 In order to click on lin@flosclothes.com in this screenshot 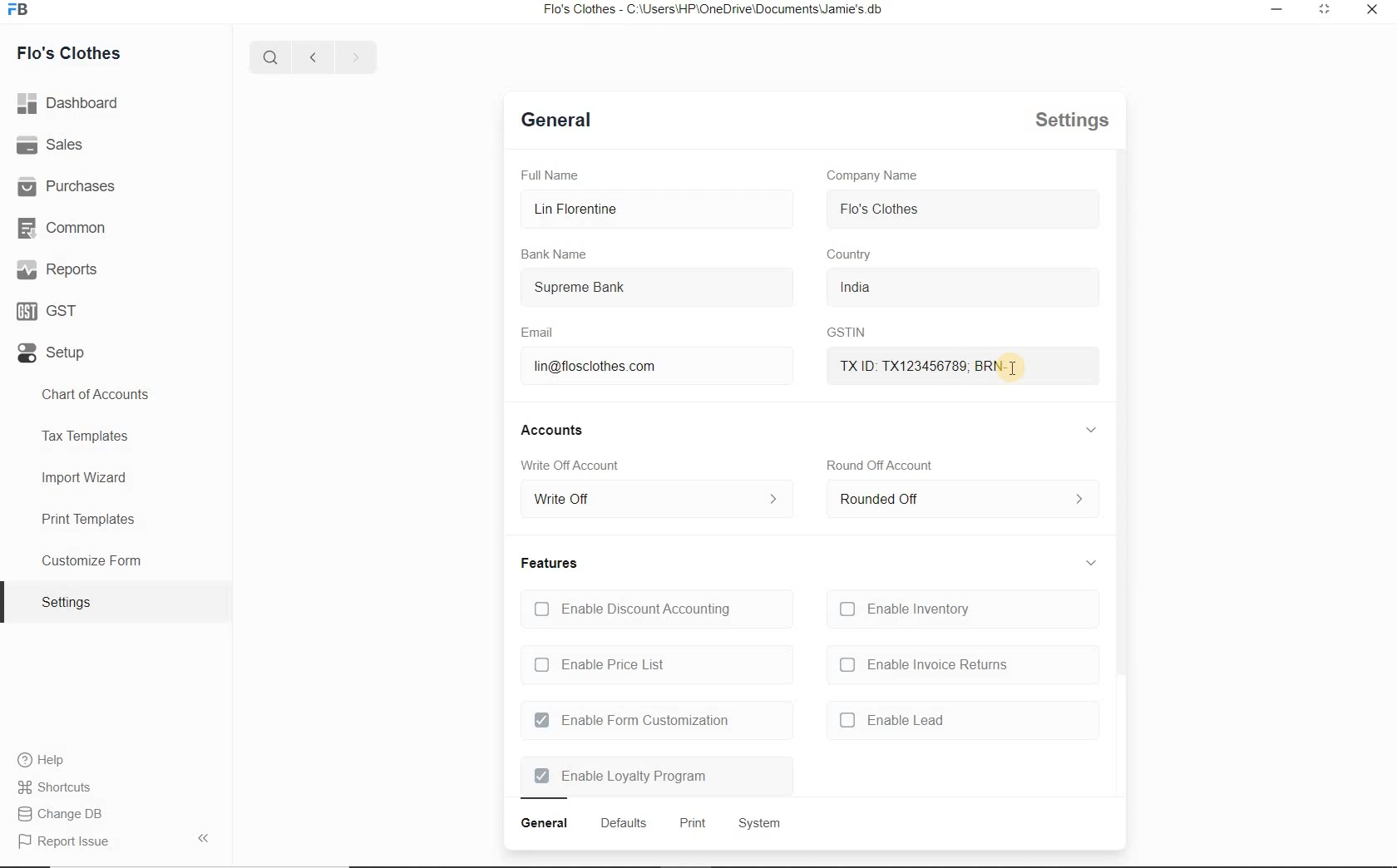, I will do `click(617, 367)`.